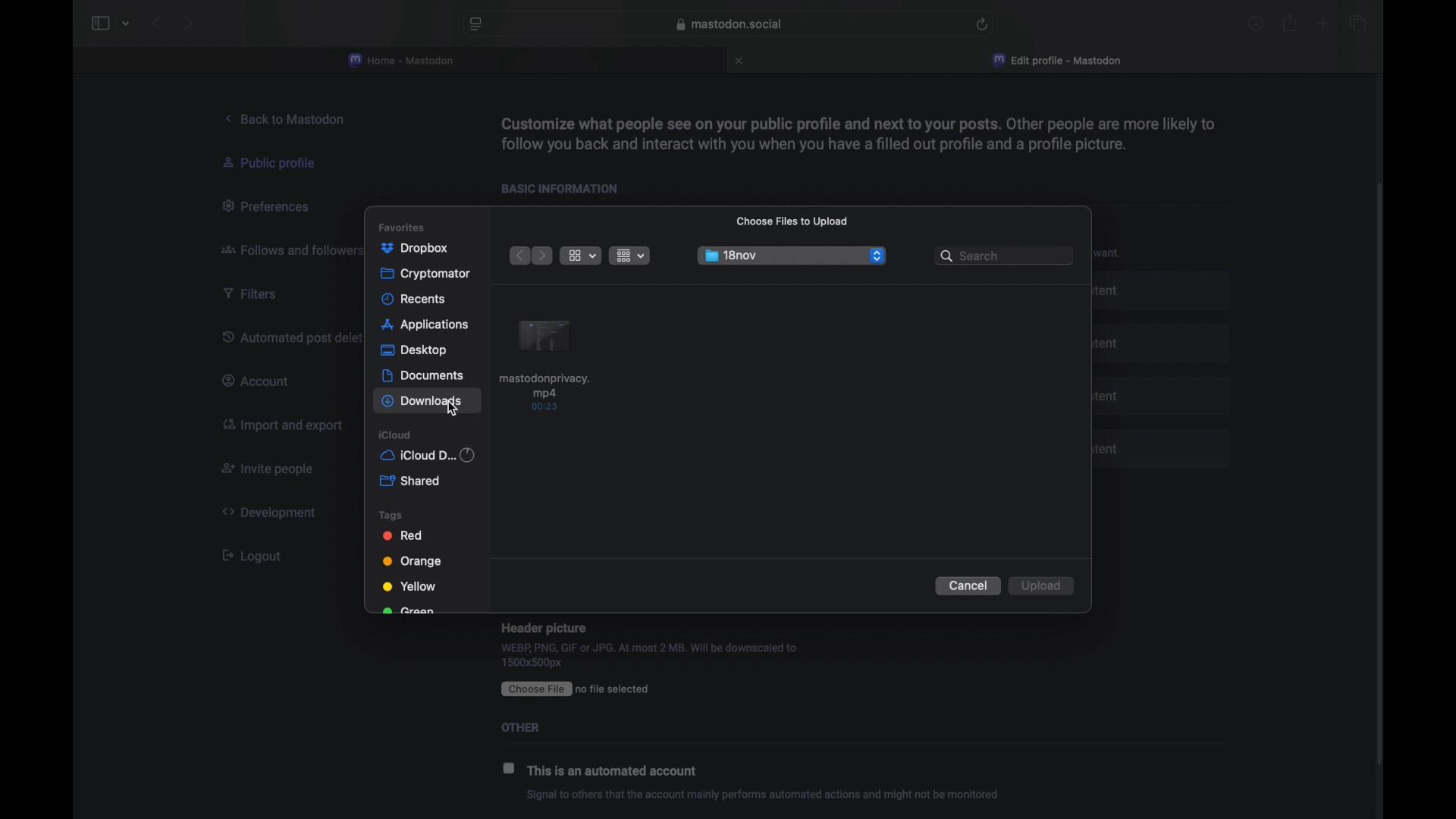 The width and height of the screenshot is (1456, 819). Describe the element at coordinates (1256, 24) in the screenshot. I see `downloads` at that location.